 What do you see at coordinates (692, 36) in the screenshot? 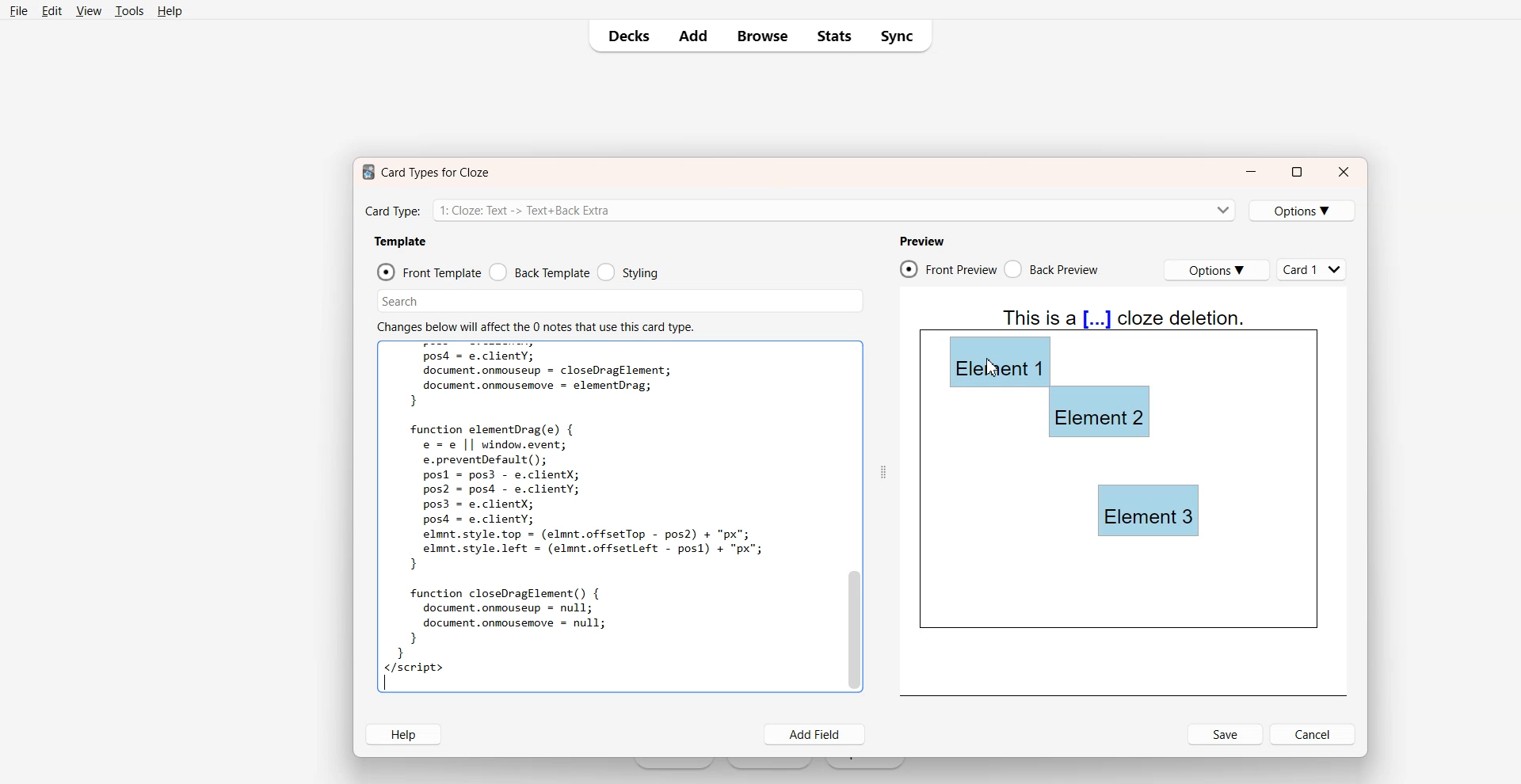
I see `Add` at bounding box center [692, 36].